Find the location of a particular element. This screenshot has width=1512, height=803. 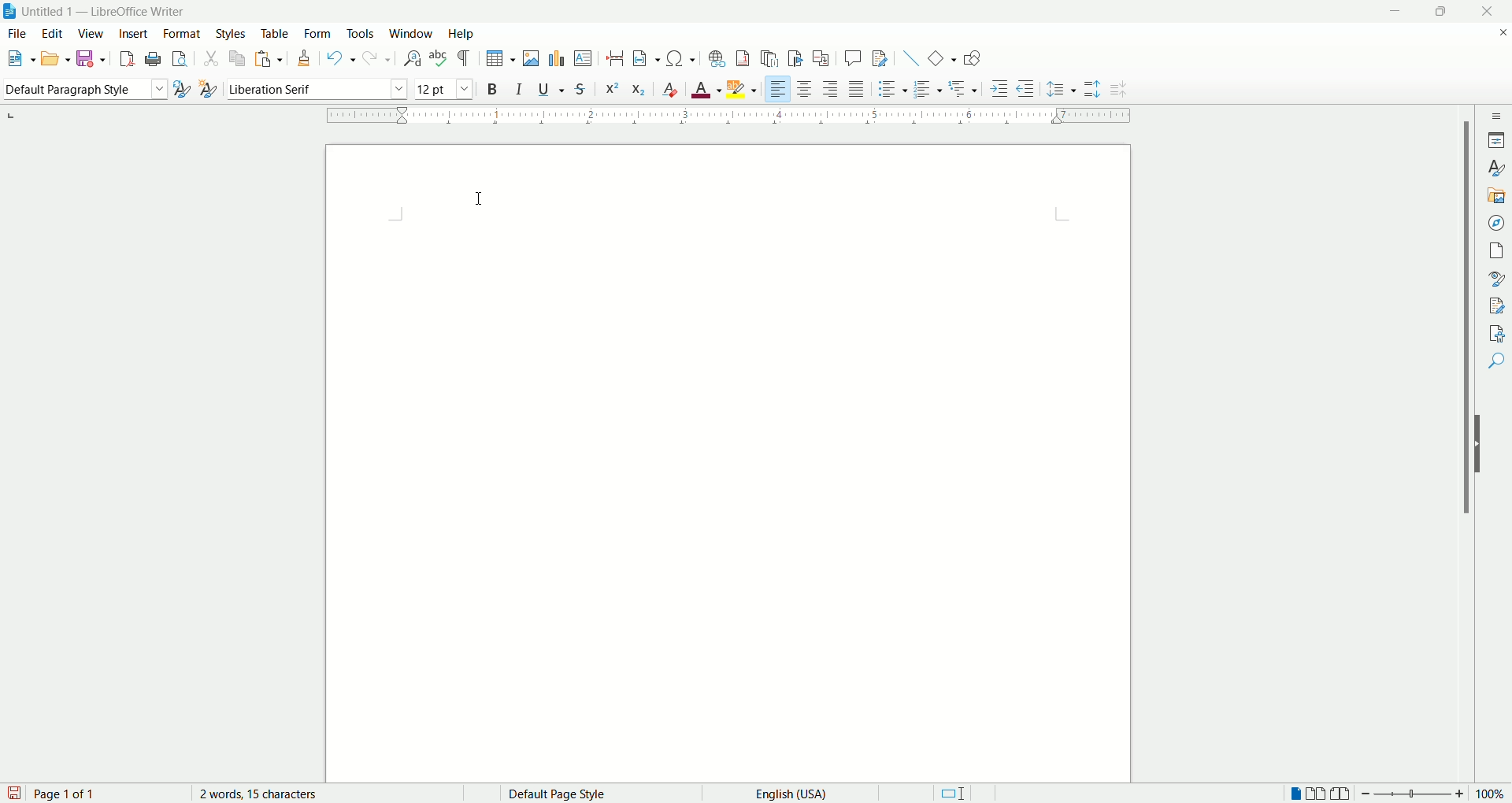

undo is located at coordinates (341, 58).